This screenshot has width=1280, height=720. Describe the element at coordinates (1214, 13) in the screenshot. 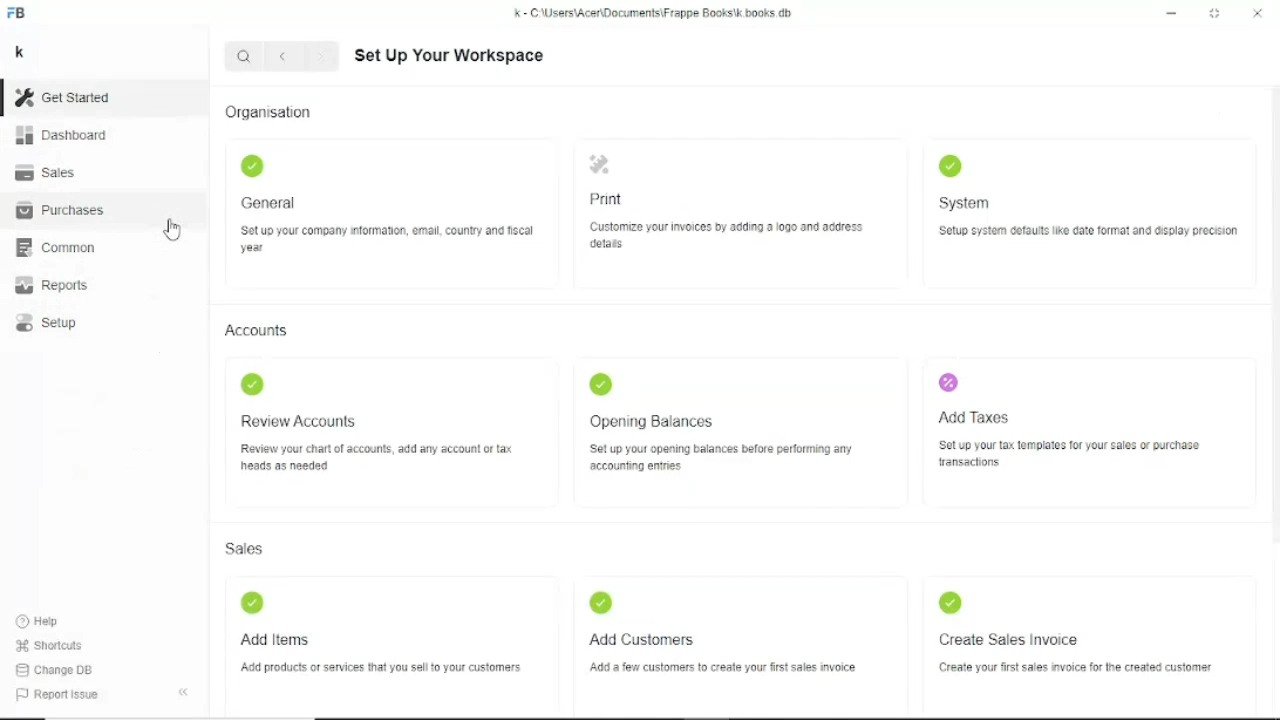

I see `Toggle between form and full width` at that location.